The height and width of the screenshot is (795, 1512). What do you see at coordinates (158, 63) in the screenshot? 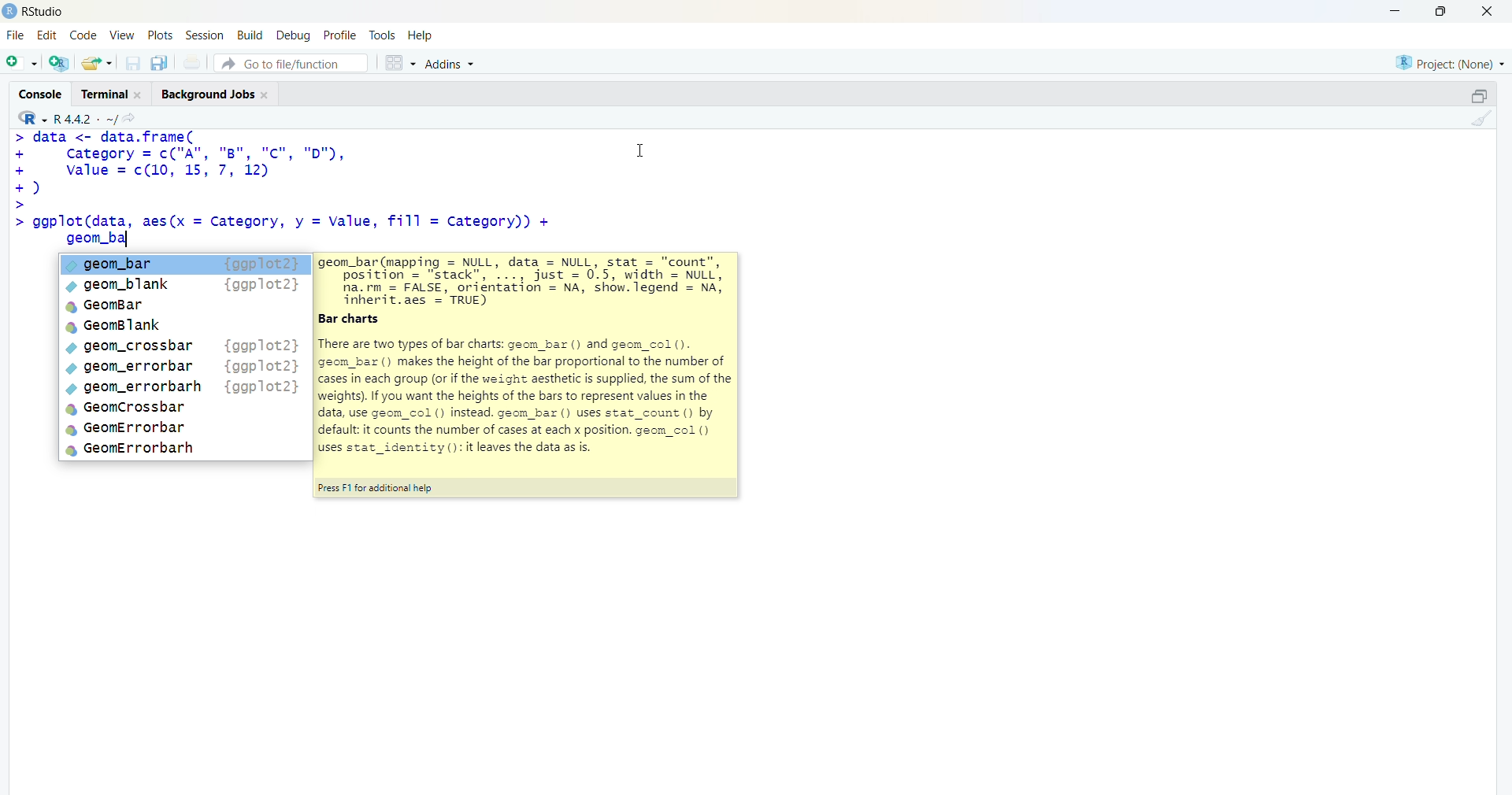
I see `save all open documents` at bounding box center [158, 63].